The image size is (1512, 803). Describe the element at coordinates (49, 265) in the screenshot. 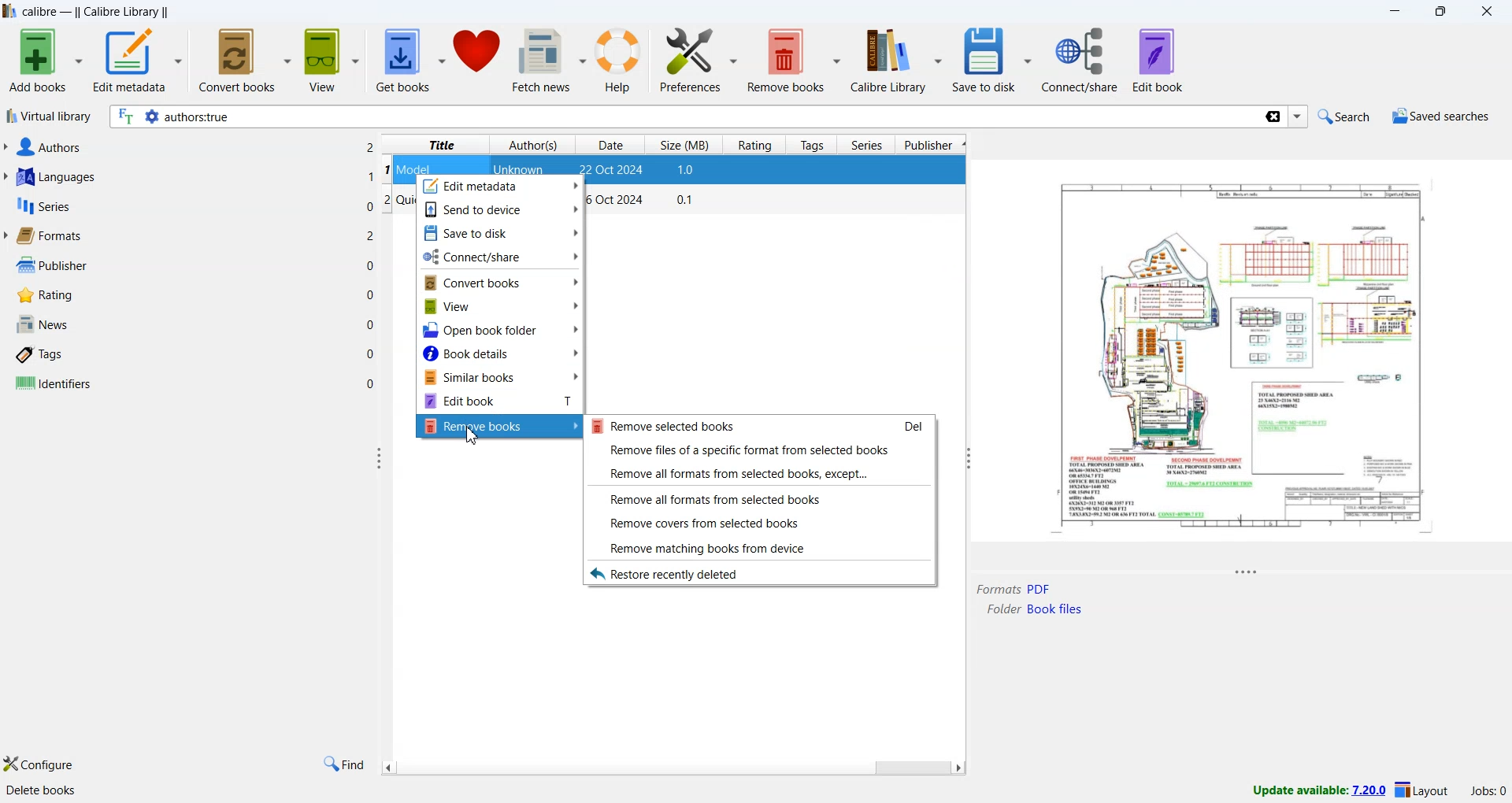

I see `publisher` at that location.